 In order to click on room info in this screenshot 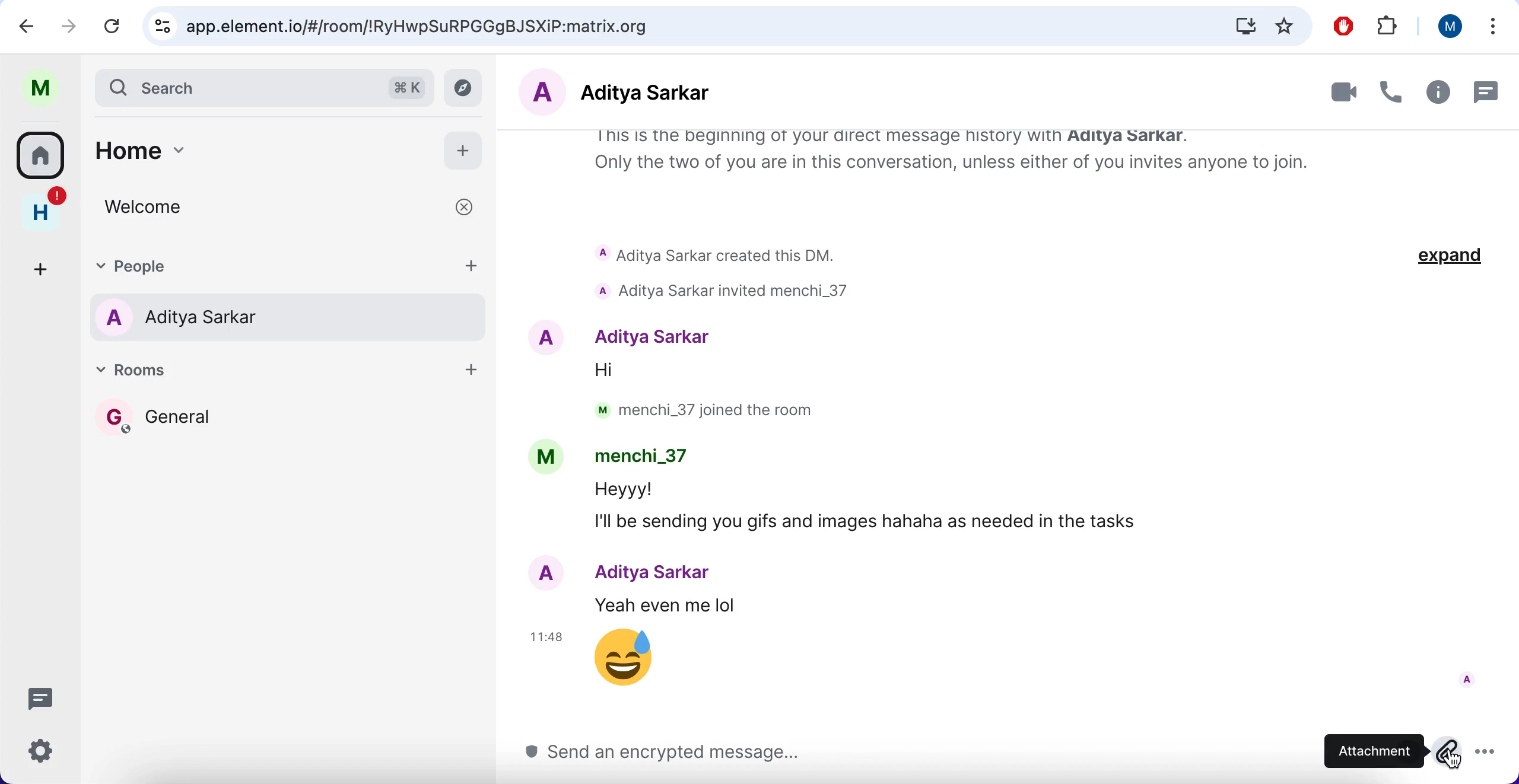, I will do `click(1435, 95)`.